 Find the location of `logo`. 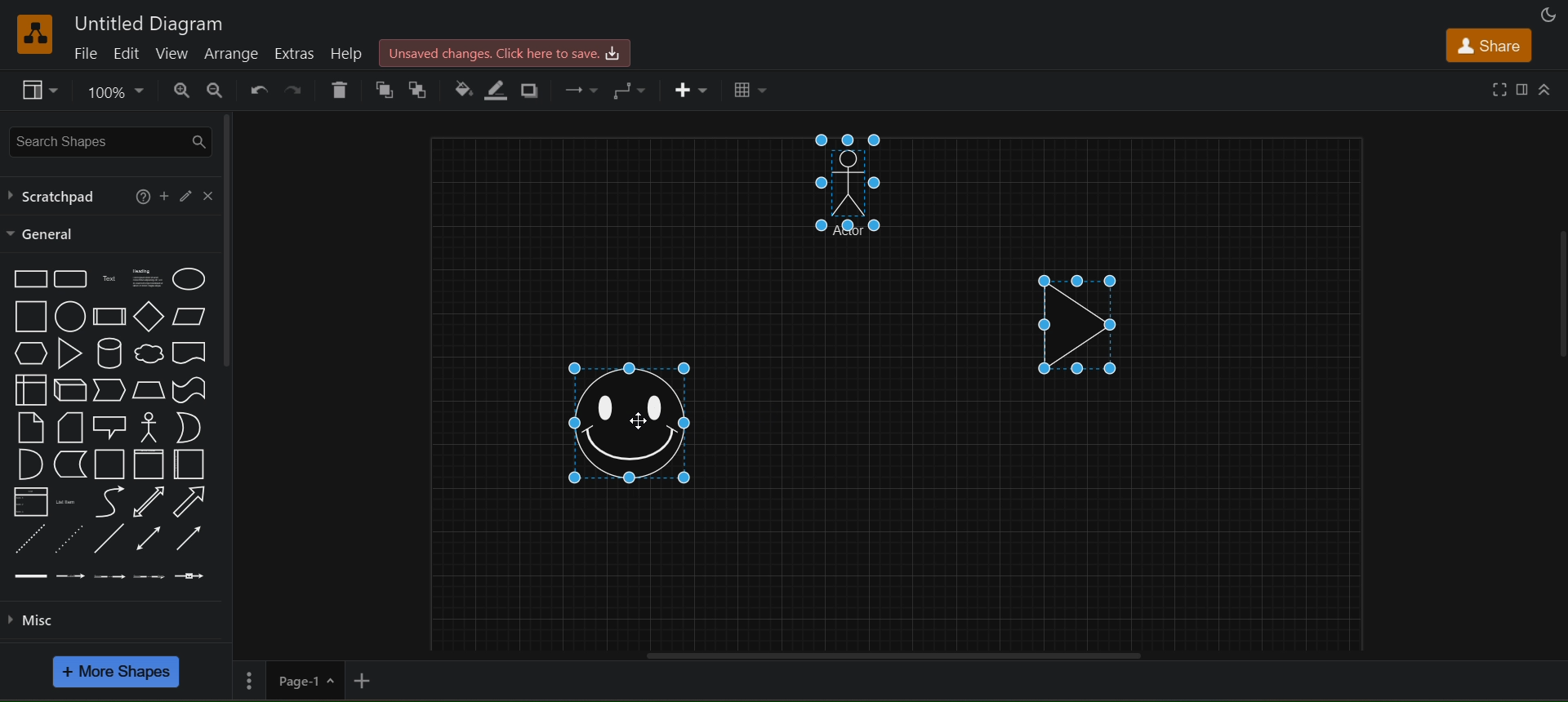

logo is located at coordinates (34, 33).